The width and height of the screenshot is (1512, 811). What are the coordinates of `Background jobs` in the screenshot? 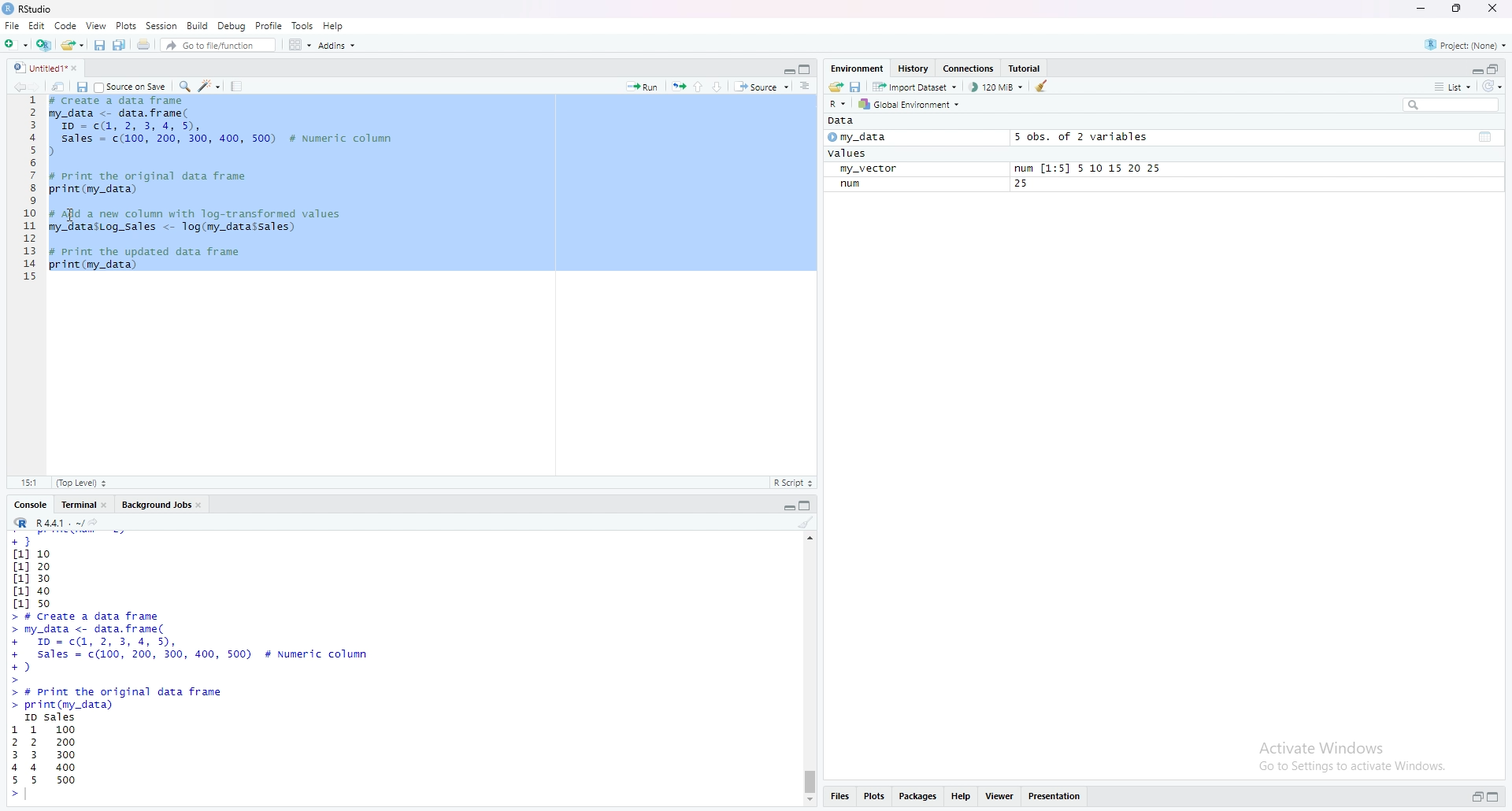 It's located at (157, 506).